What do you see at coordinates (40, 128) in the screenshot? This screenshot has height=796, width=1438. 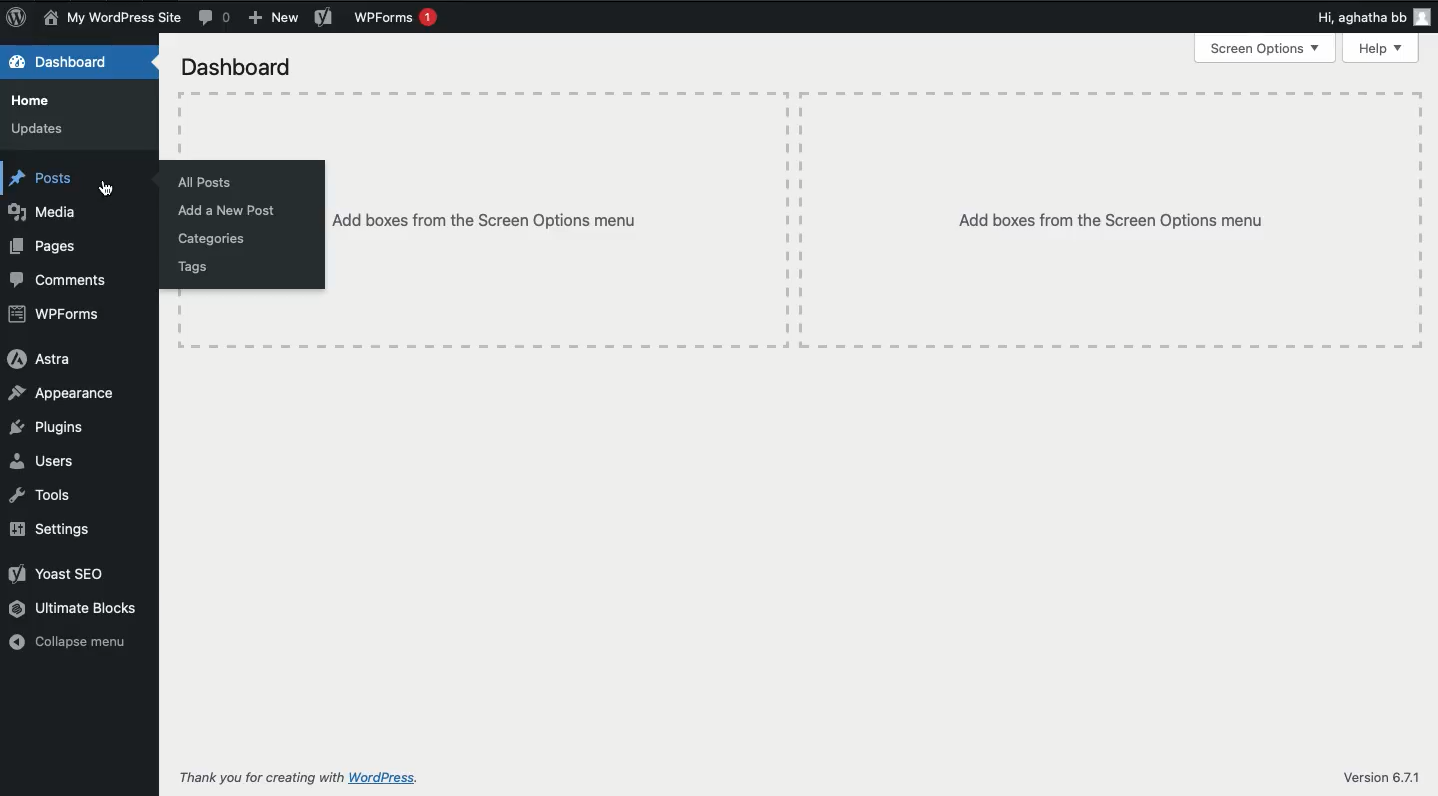 I see `Updates` at bounding box center [40, 128].